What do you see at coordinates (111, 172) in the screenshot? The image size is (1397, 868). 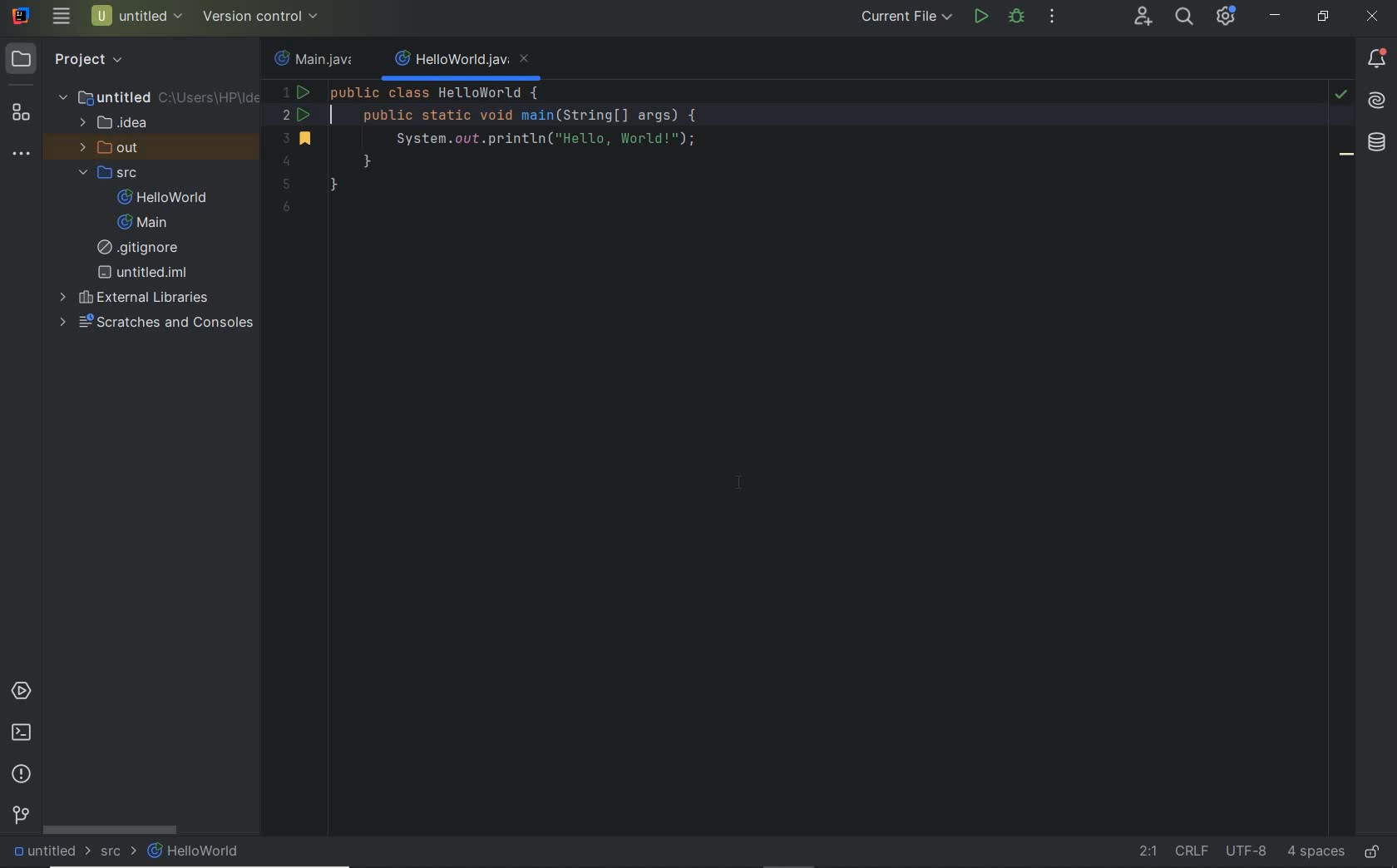 I see `src` at bounding box center [111, 172].